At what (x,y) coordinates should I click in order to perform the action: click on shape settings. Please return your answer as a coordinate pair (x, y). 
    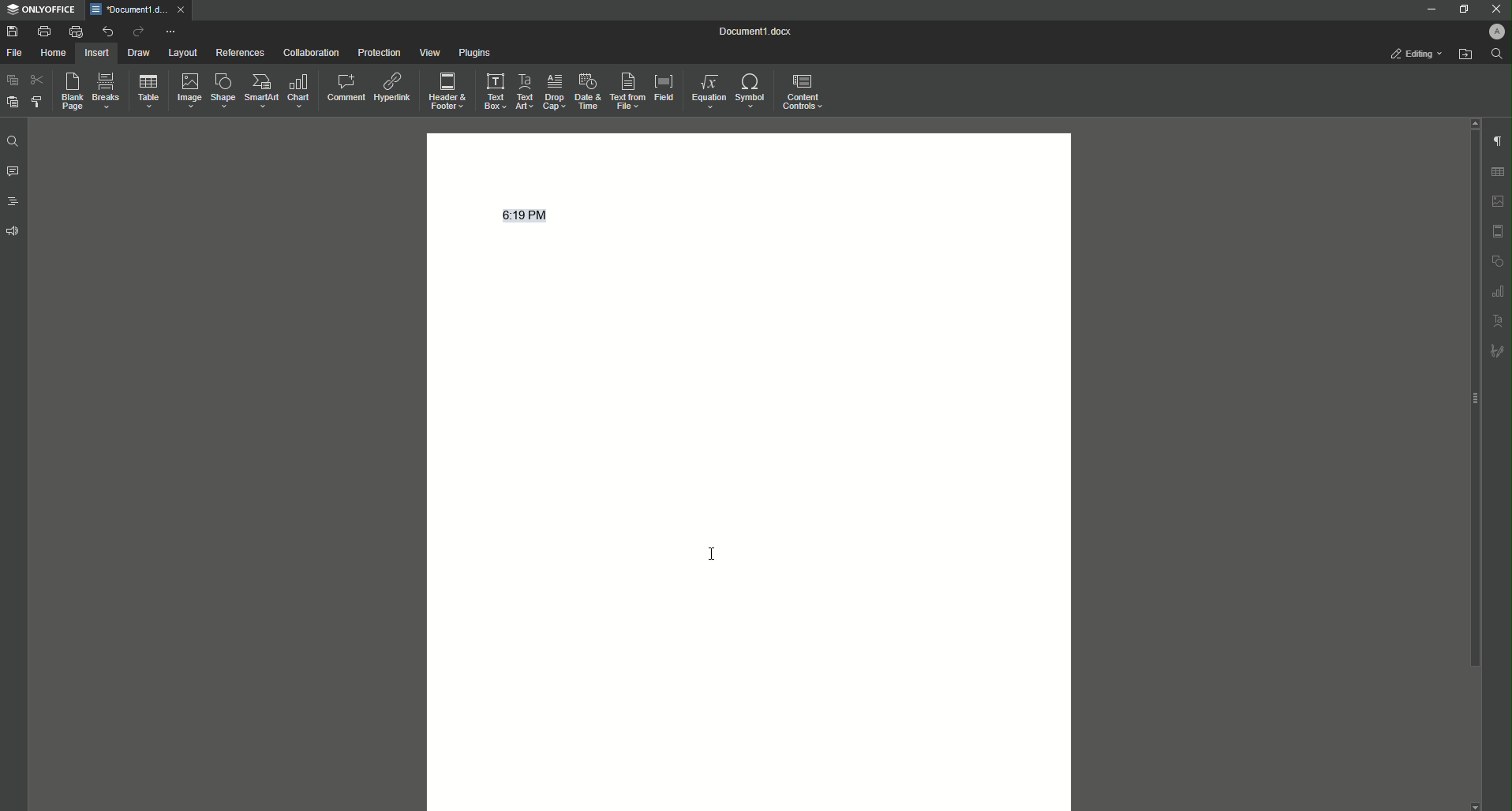
    Looking at the image, I should click on (1497, 260).